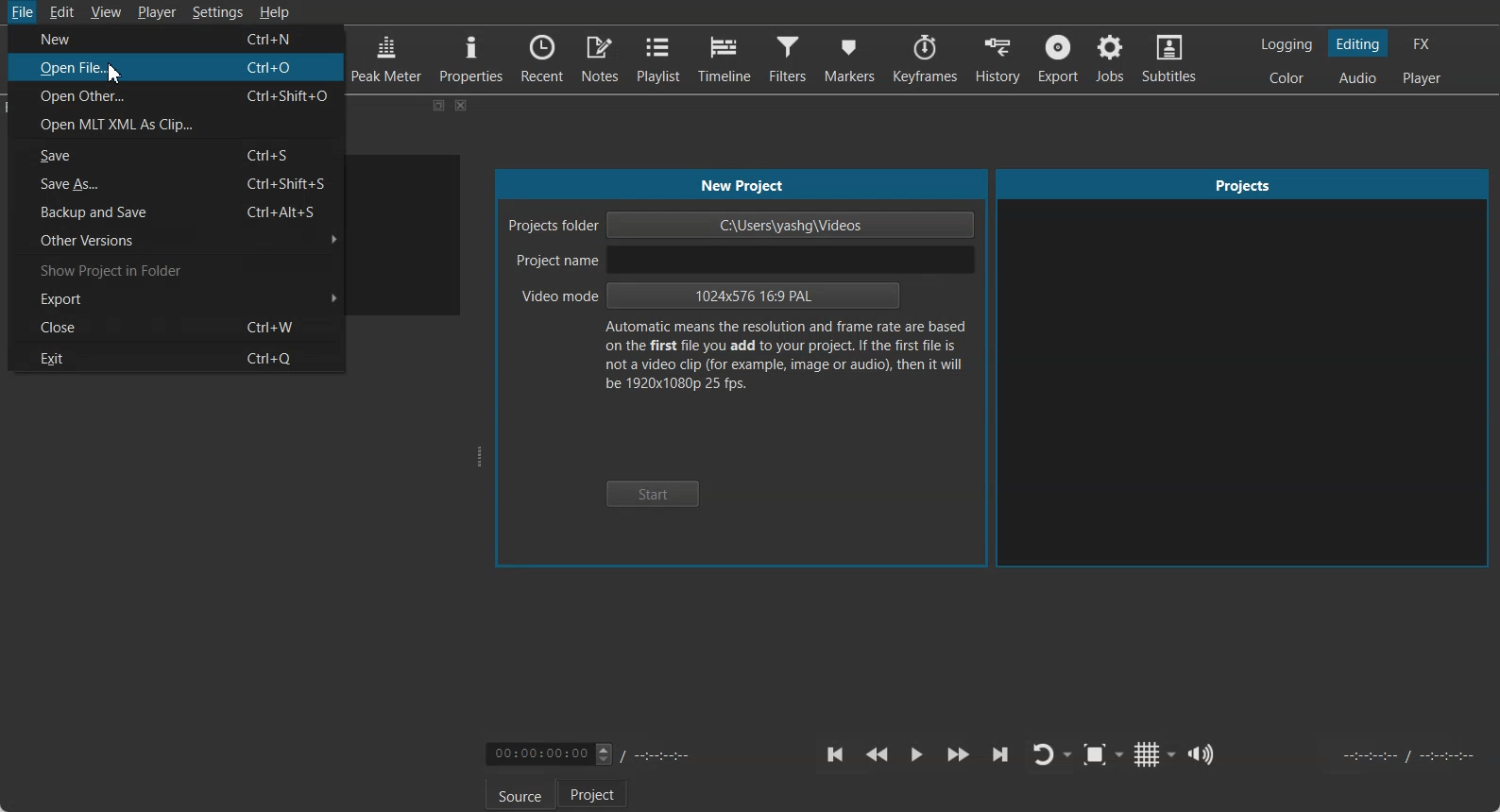 The height and width of the screenshot is (812, 1500). I want to click on View, so click(105, 11).